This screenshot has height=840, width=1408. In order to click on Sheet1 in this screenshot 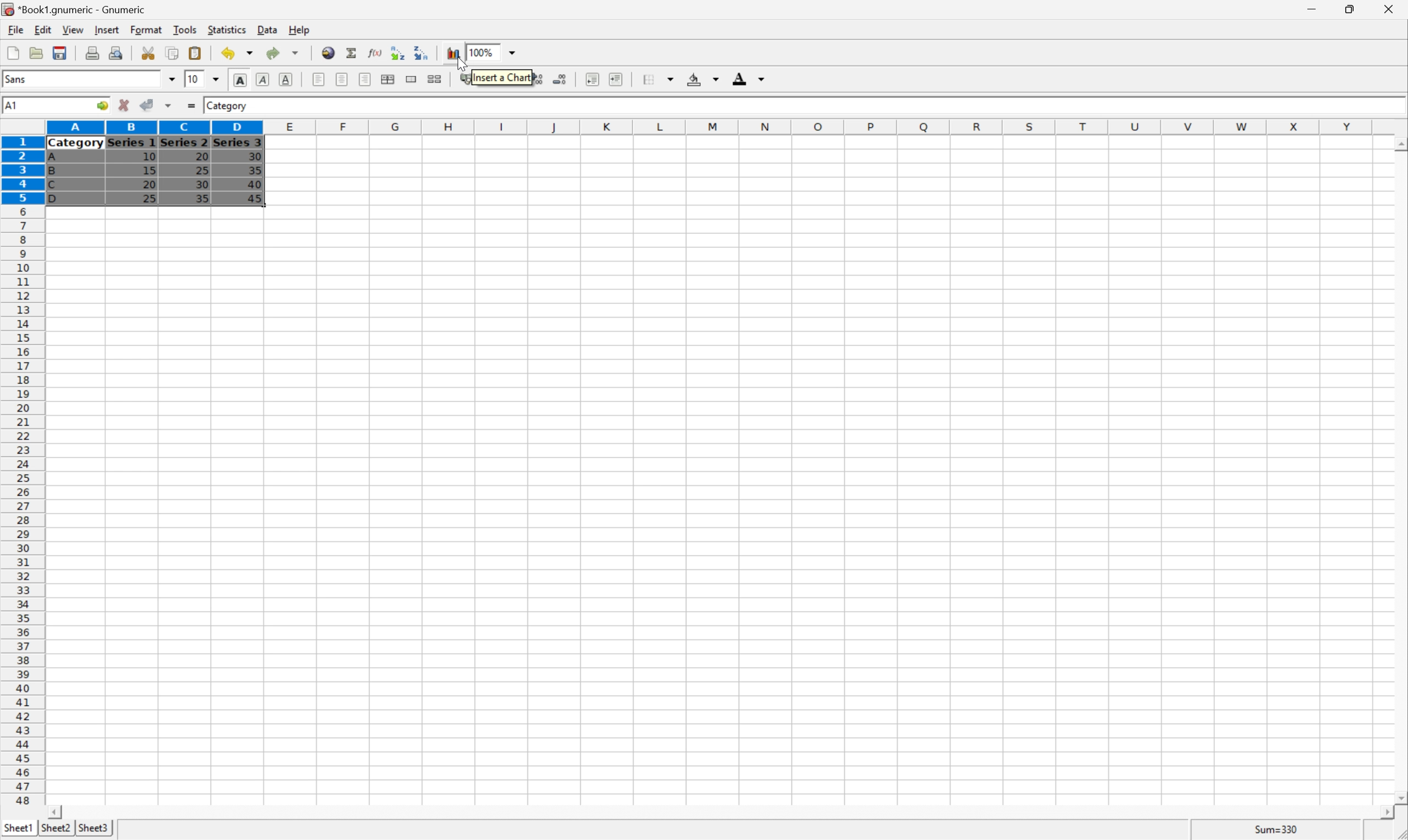, I will do `click(18, 829)`.